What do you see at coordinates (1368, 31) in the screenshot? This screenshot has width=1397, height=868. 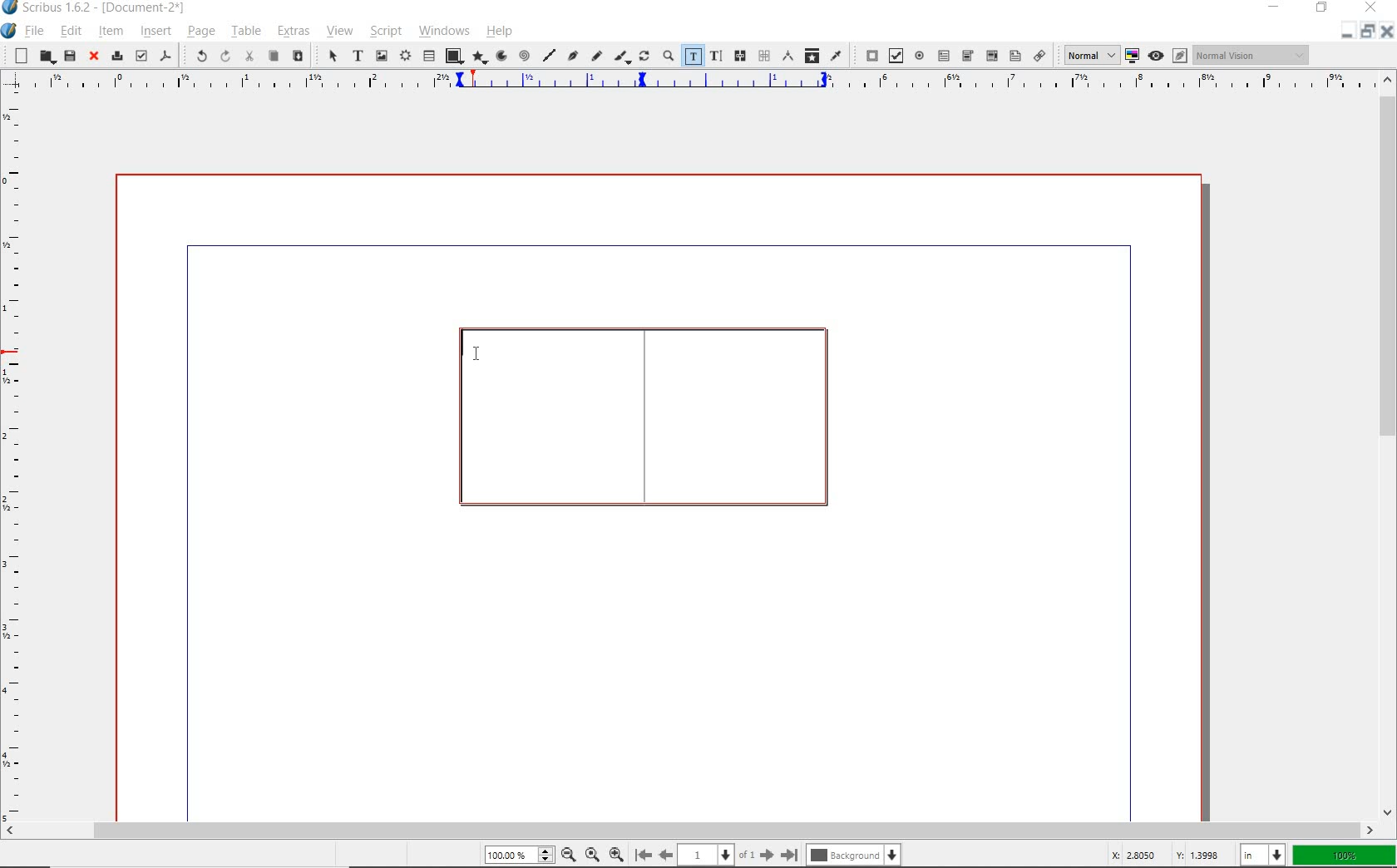 I see `minimize/restore/close document` at bounding box center [1368, 31].